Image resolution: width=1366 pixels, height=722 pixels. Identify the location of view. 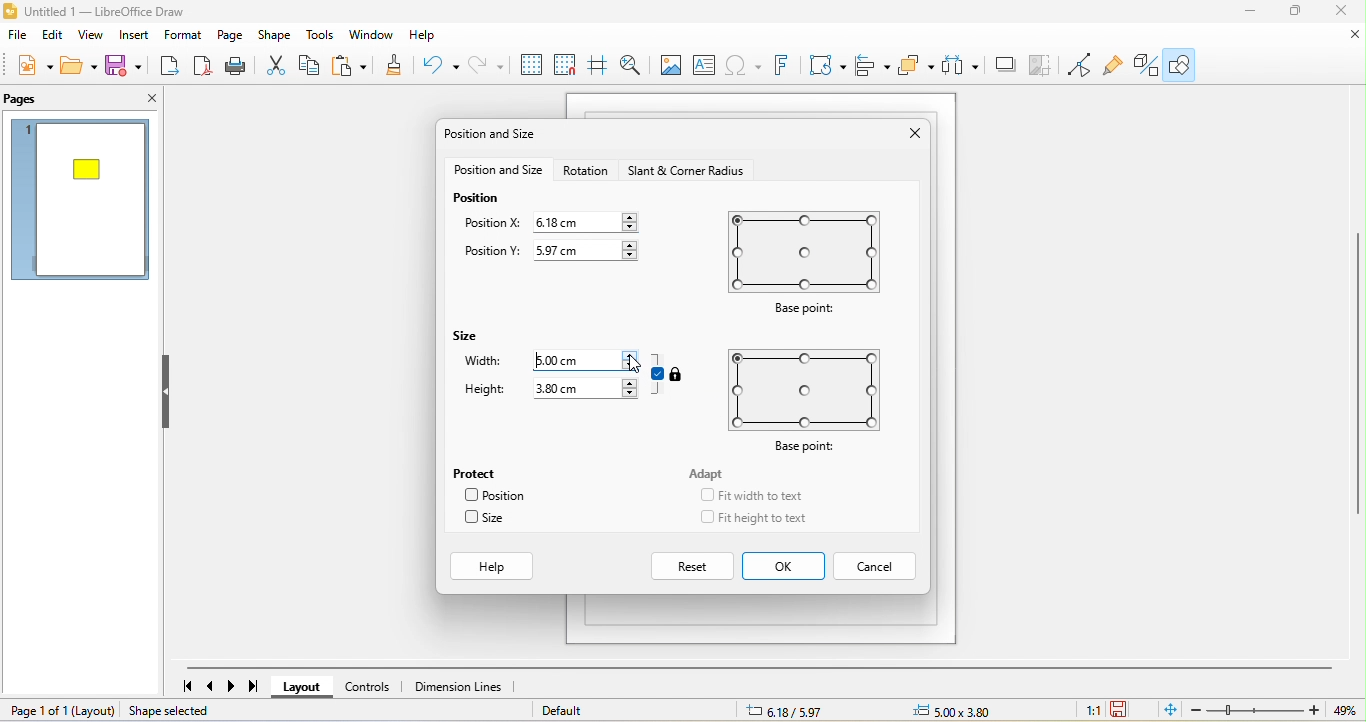
(93, 35).